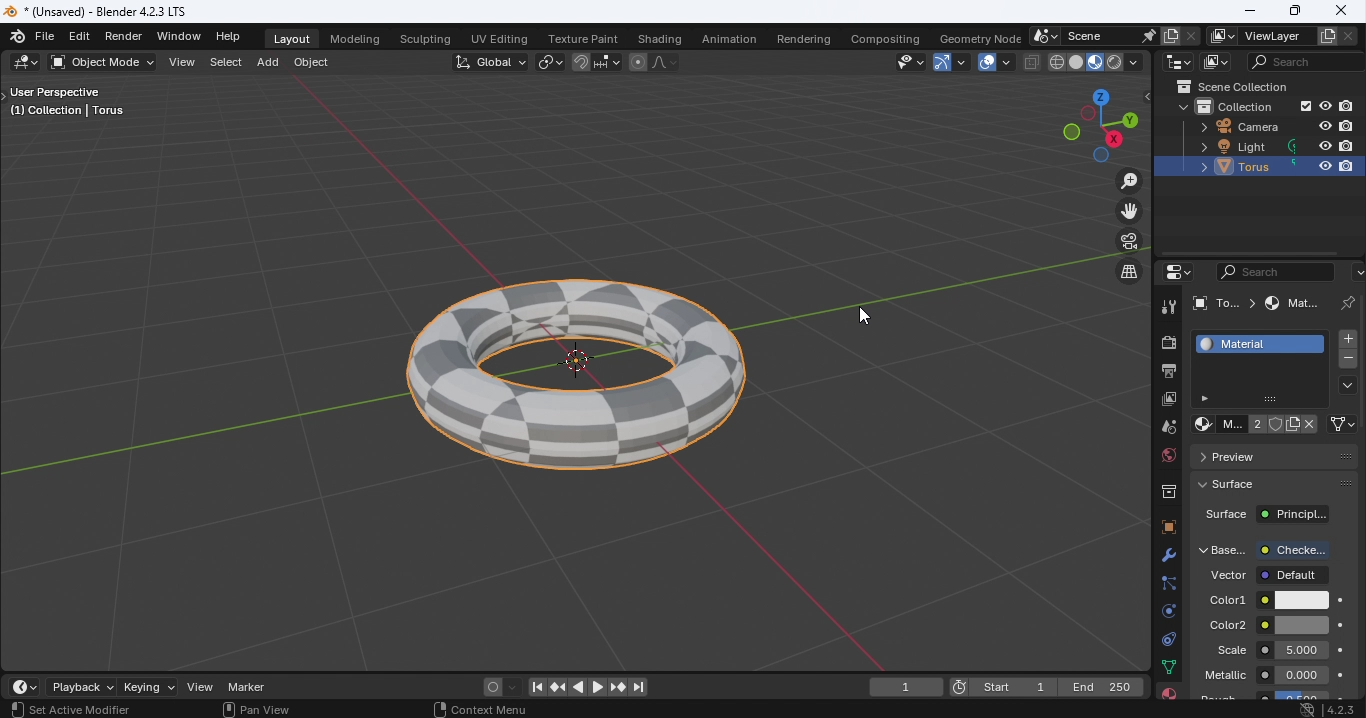 The height and width of the screenshot is (718, 1366). I want to click on Jump to first/last frame in frame range, so click(532, 689).